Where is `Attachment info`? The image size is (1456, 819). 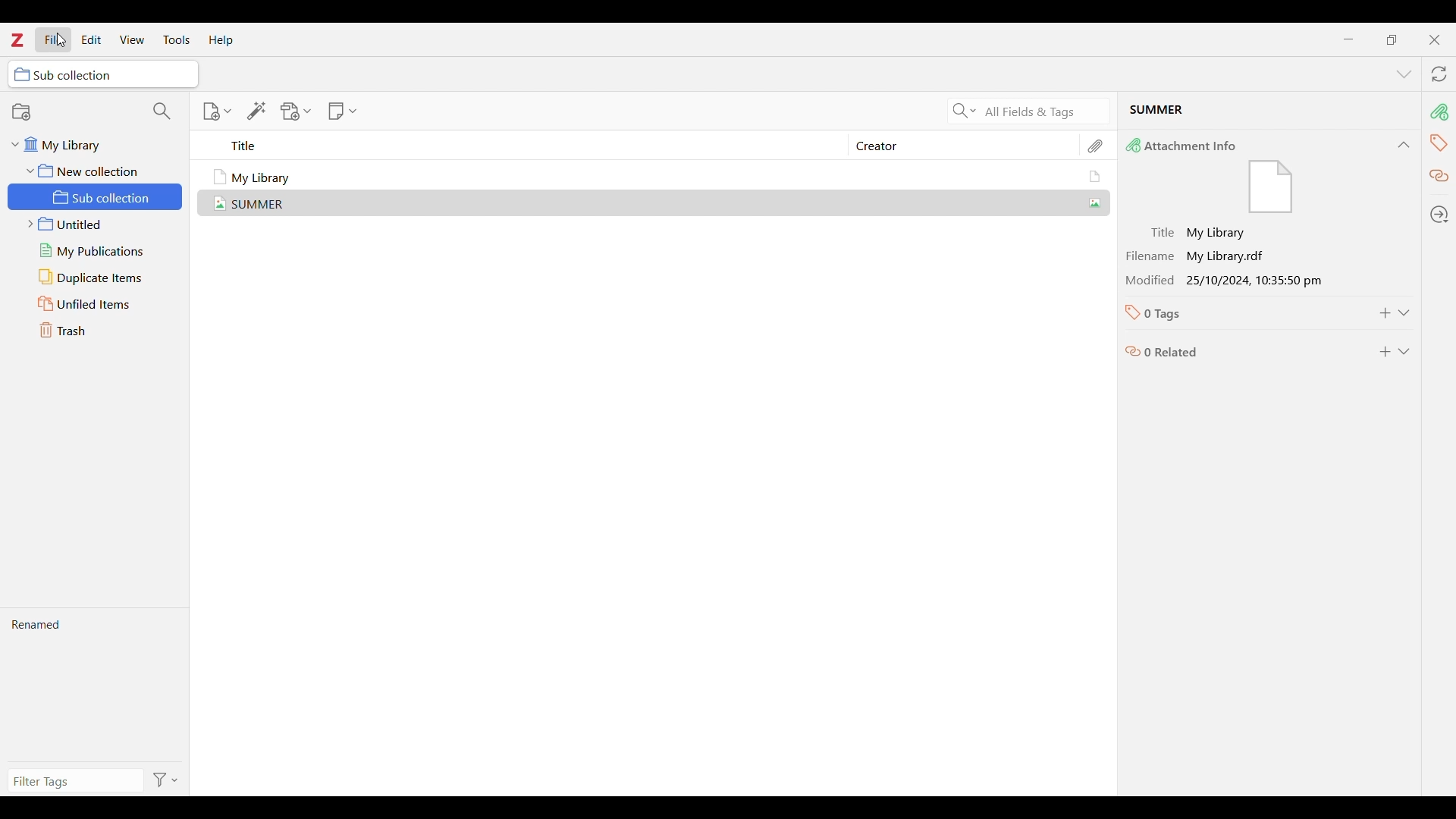
Attachment info is located at coordinates (1442, 111).